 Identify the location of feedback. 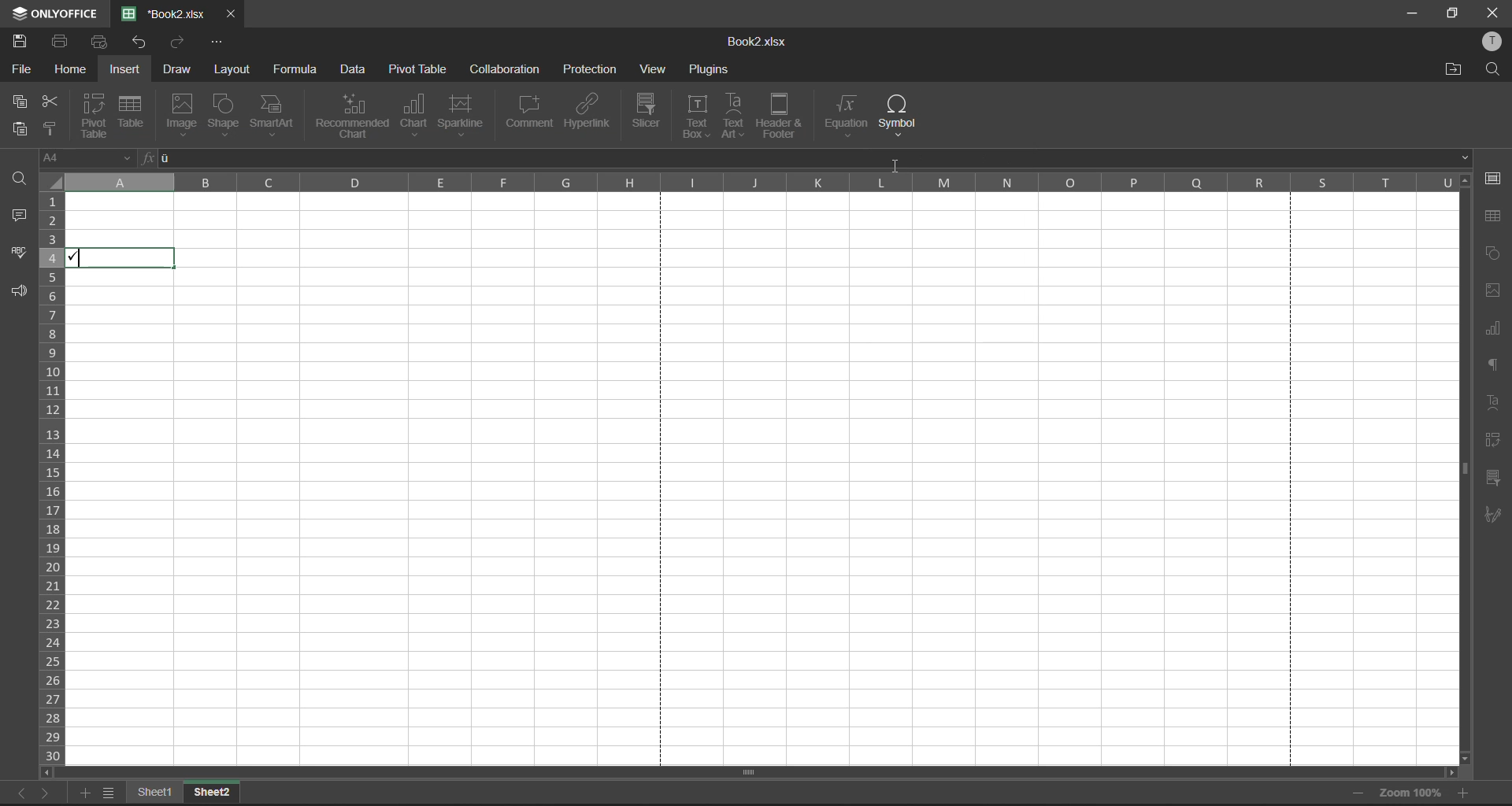
(19, 294).